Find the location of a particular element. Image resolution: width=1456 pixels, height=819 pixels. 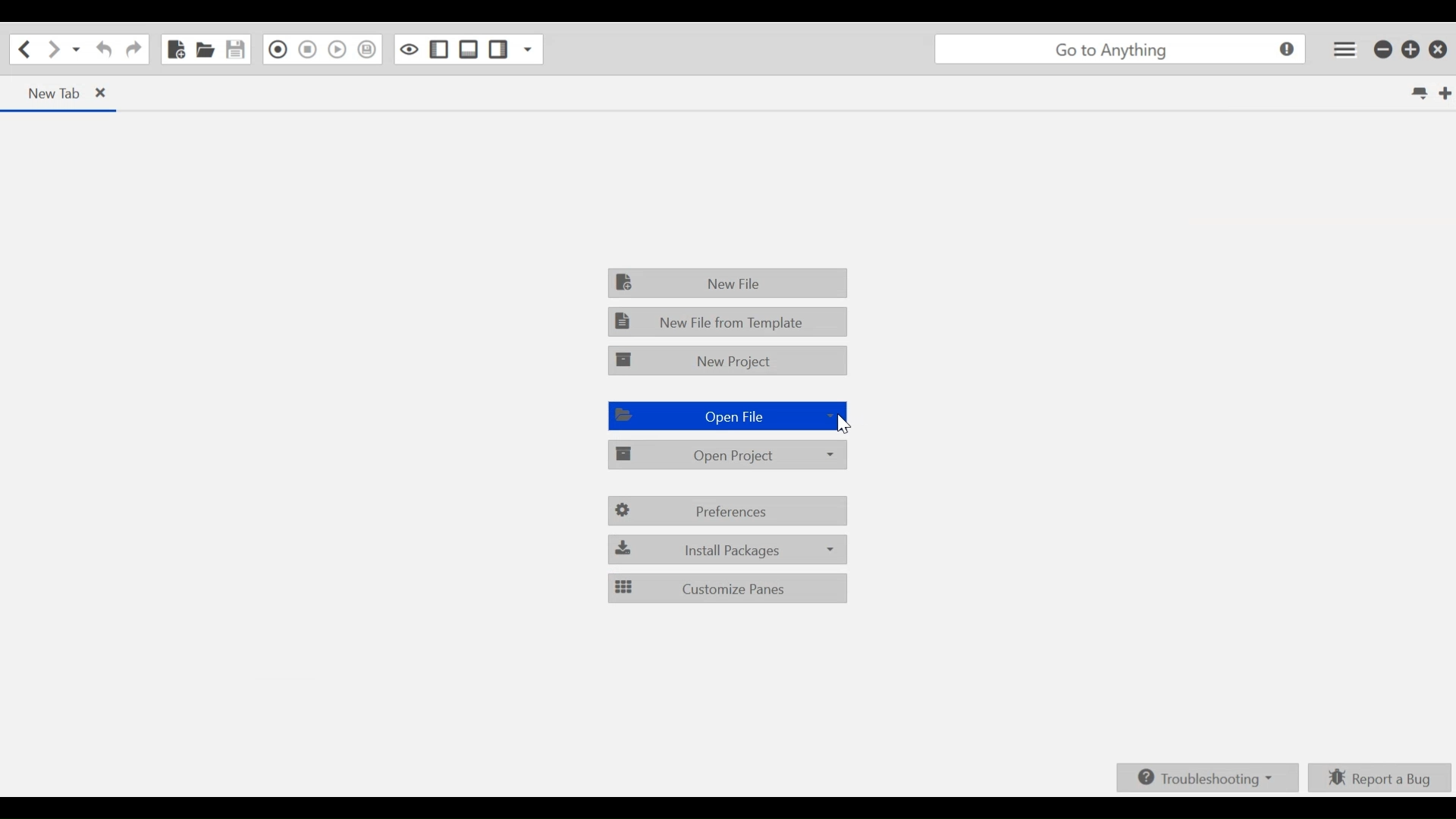

Open File is located at coordinates (726, 416).